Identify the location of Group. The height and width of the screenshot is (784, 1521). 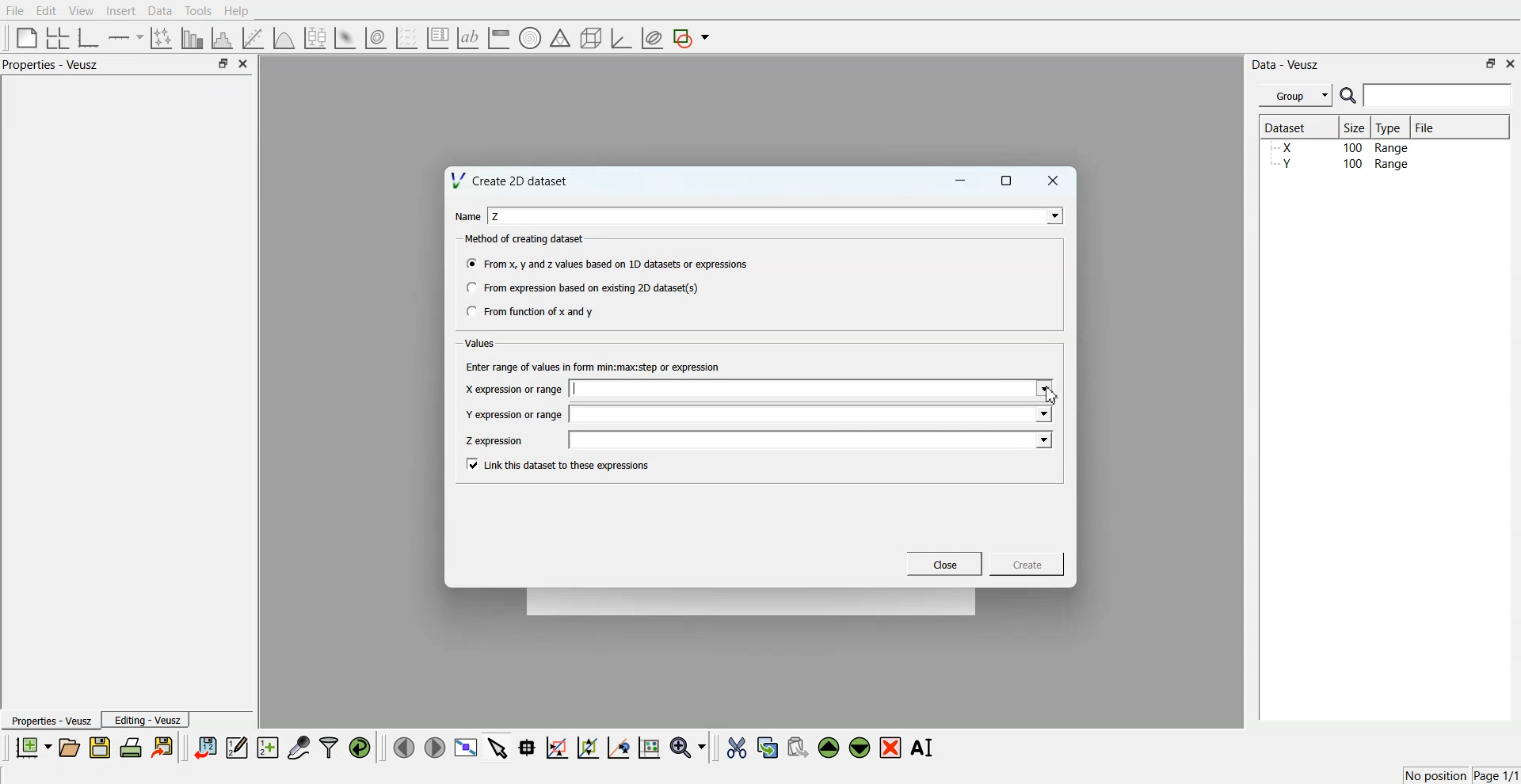
(1296, 96).